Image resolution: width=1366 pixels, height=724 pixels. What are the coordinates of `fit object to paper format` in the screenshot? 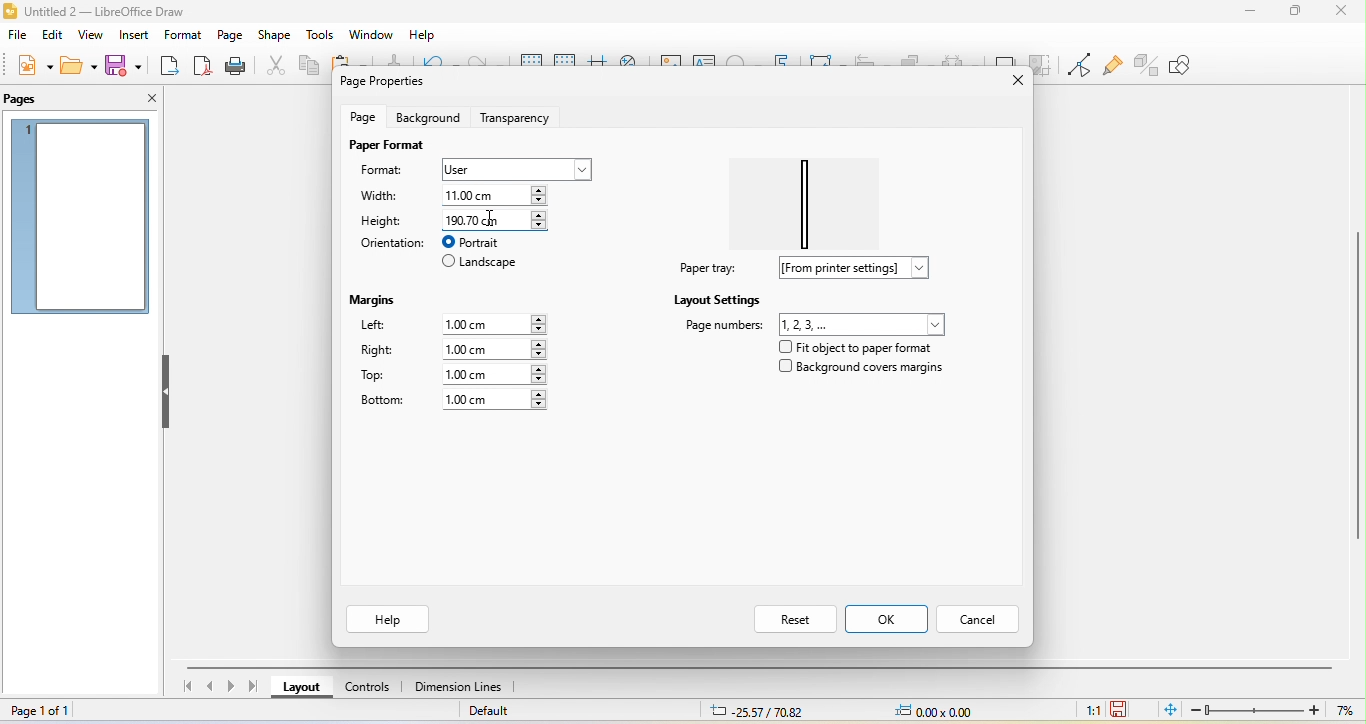 It's located at (853, 347).